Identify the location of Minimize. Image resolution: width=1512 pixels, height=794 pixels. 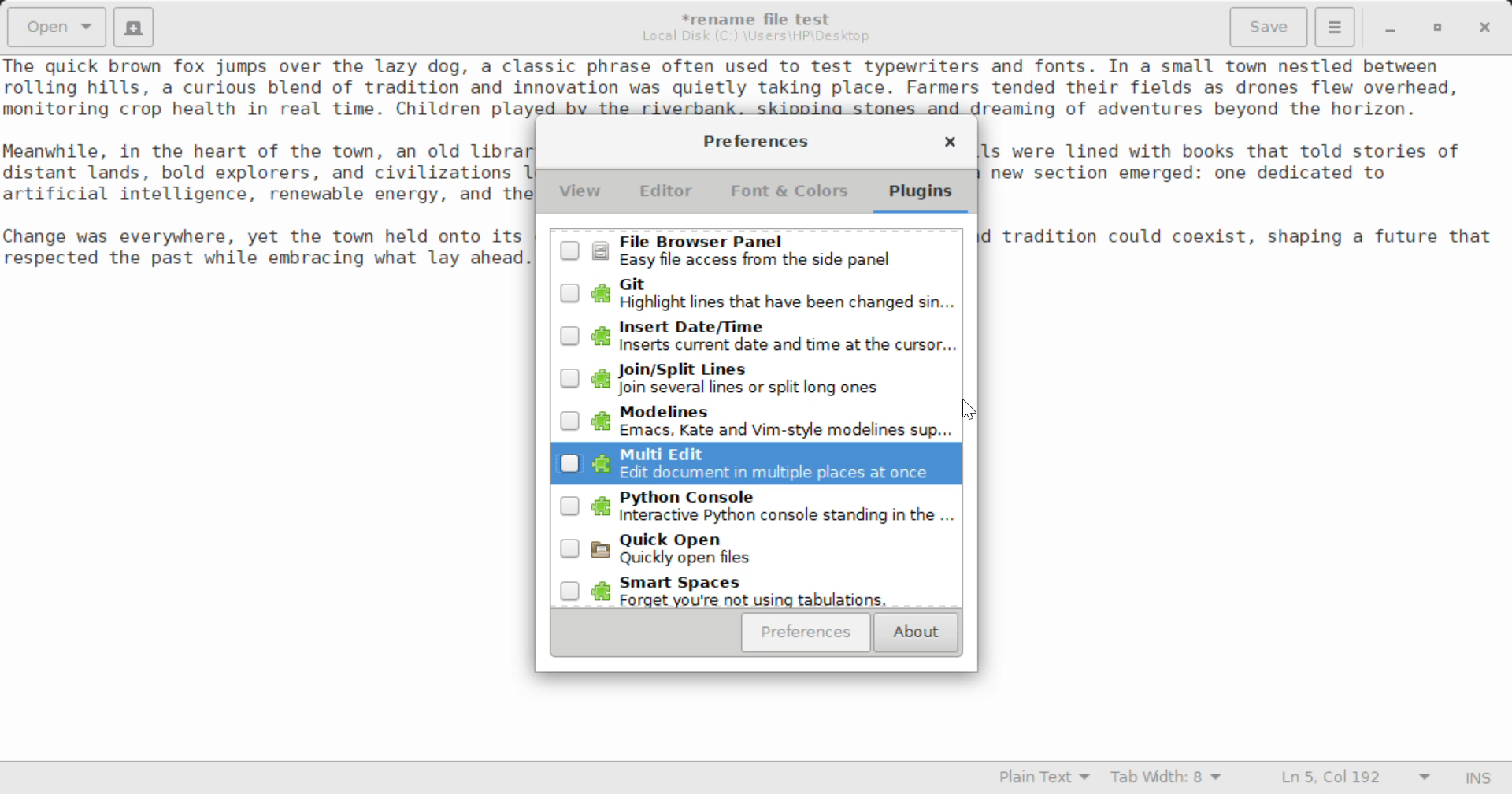
(1438, 28).